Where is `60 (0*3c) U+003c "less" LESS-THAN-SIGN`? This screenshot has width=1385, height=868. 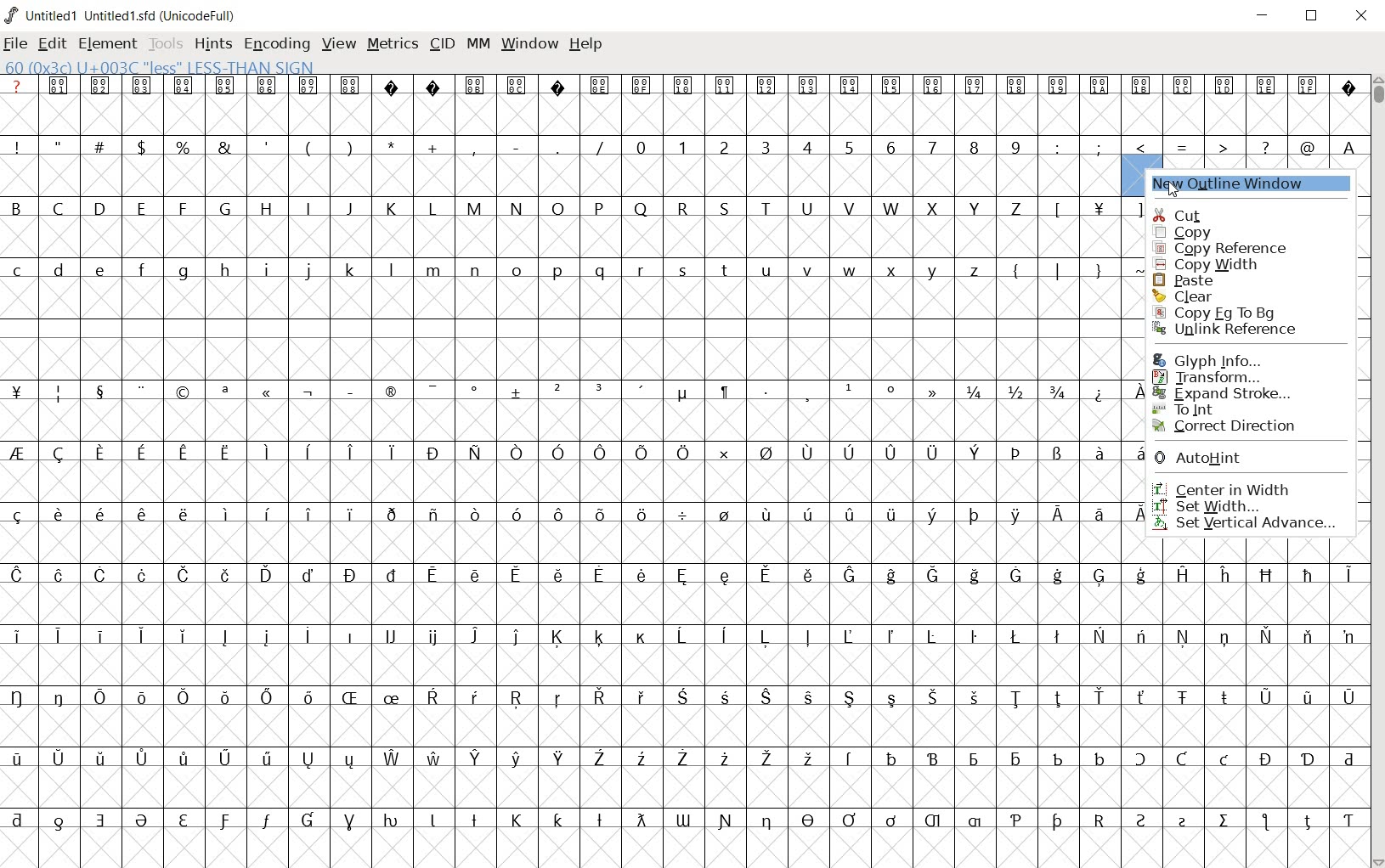
60 (0*3c) U+003c "less" LESS-THAN-SIGN is located at coordinates (160, 65).